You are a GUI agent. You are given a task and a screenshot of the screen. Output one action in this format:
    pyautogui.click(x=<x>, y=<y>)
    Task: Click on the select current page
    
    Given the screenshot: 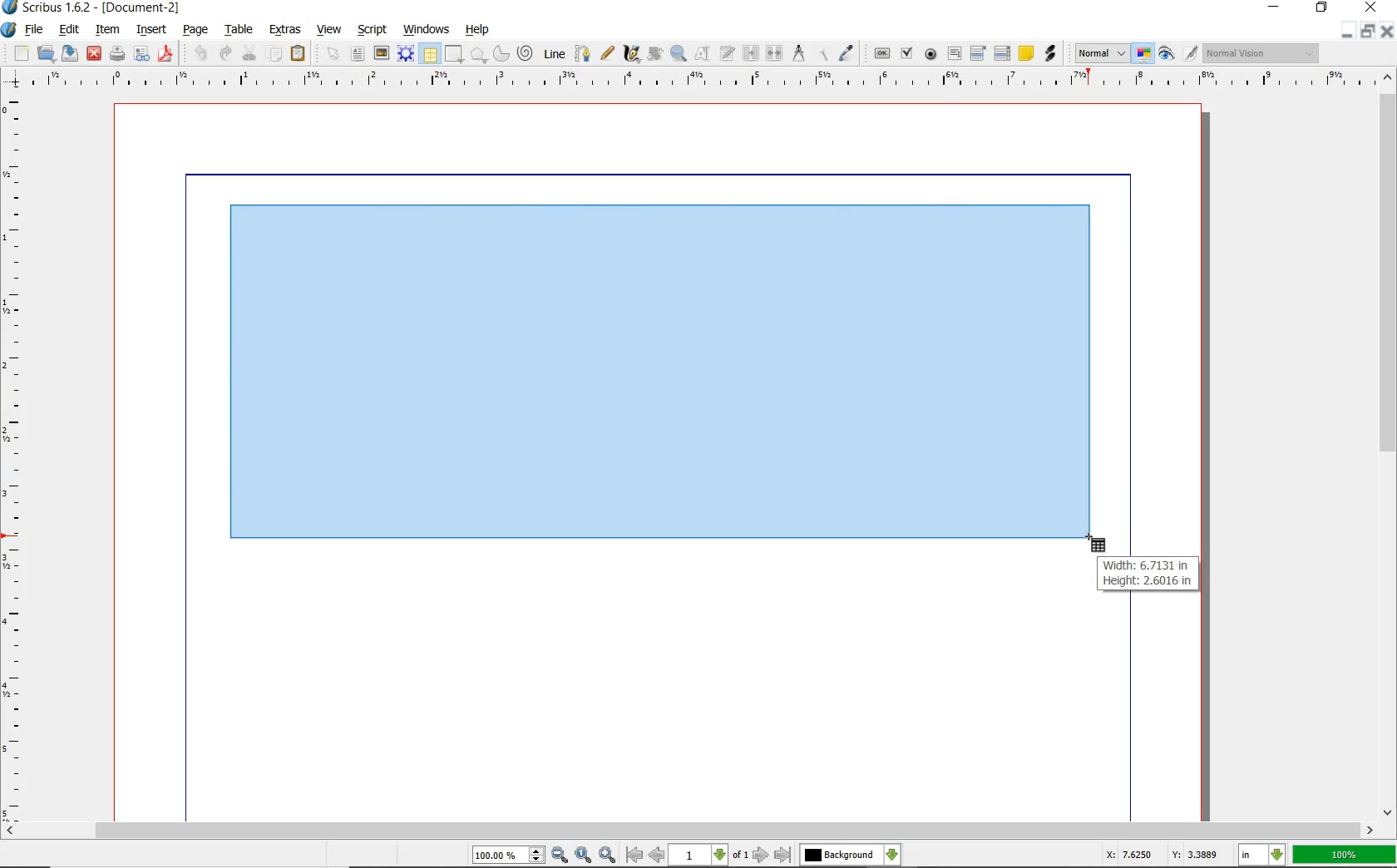 What is the action you would take?
    pyautogui.click(x=708, y=856)
    